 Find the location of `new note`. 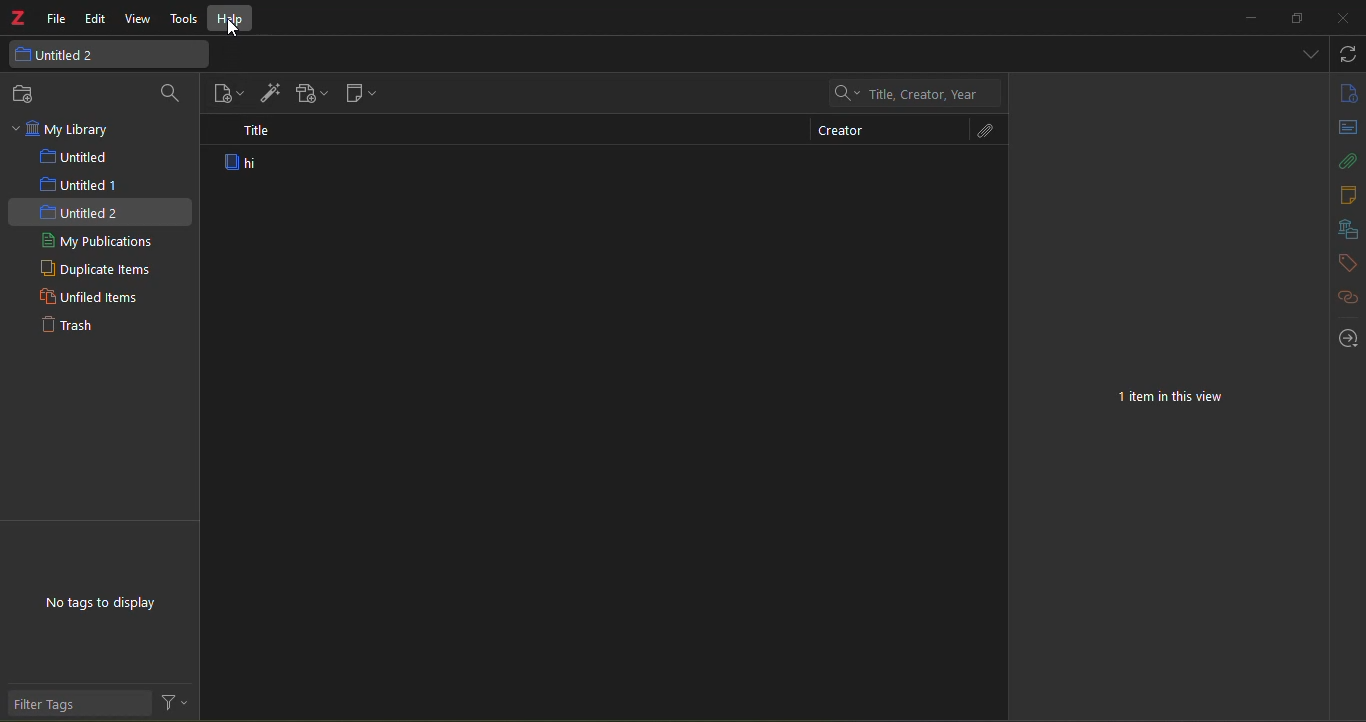

new note is located at coordinates (361, 93).